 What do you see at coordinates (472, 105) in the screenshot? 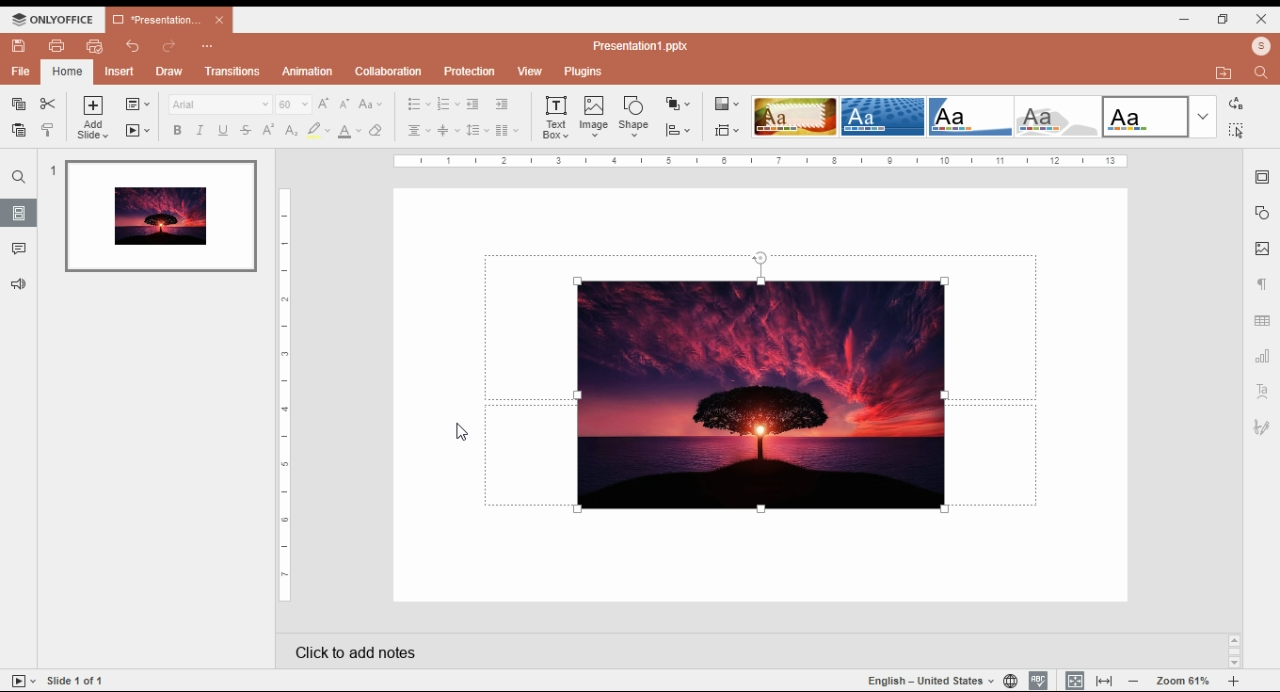
I see `increase indent` at bounding box center [472, 105].